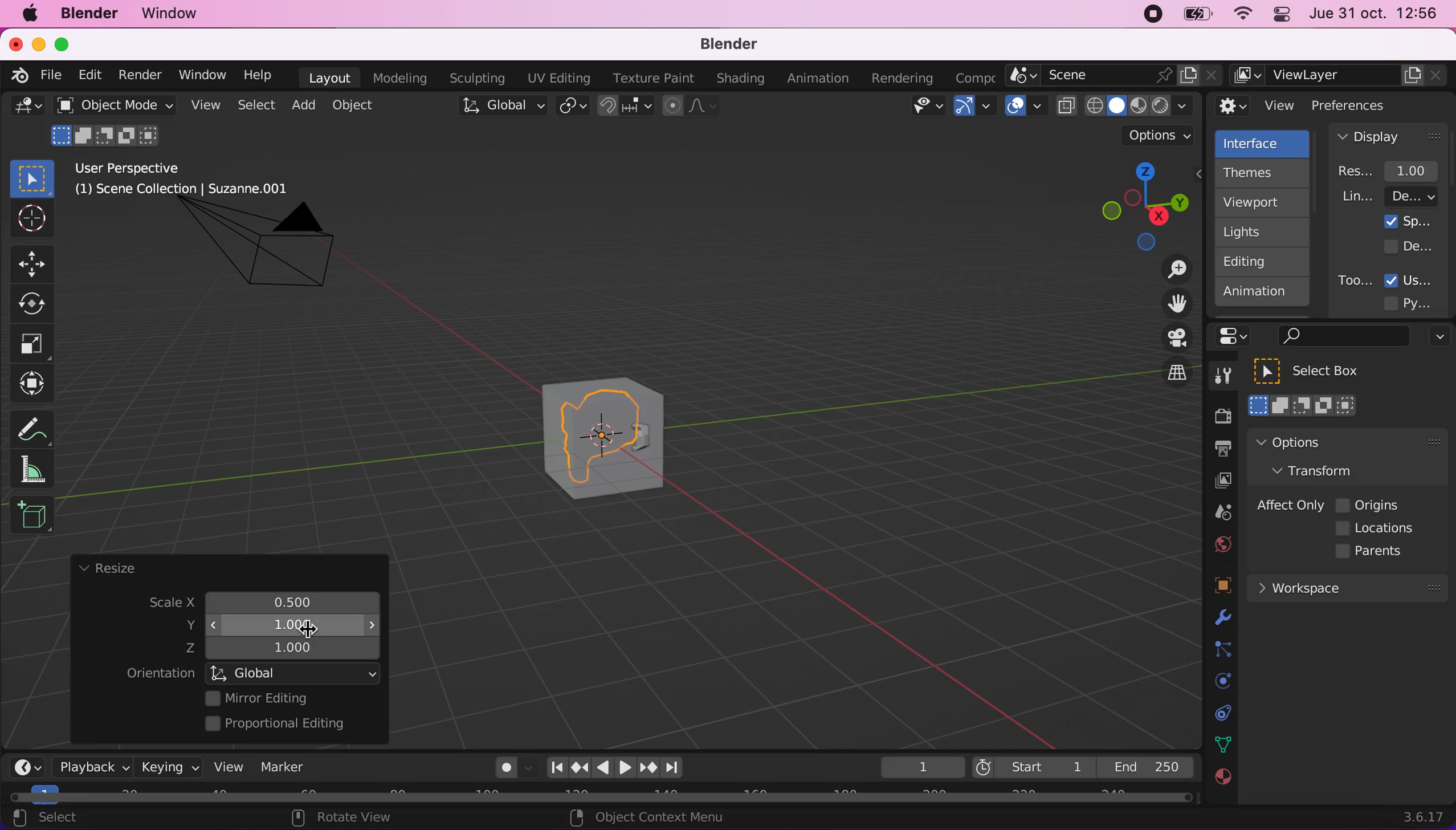 This screenshot has height=830, width=1456. What do you see at coordinates (30, 219) in the screenshot?
I see `` at bounding box center [30, 219].